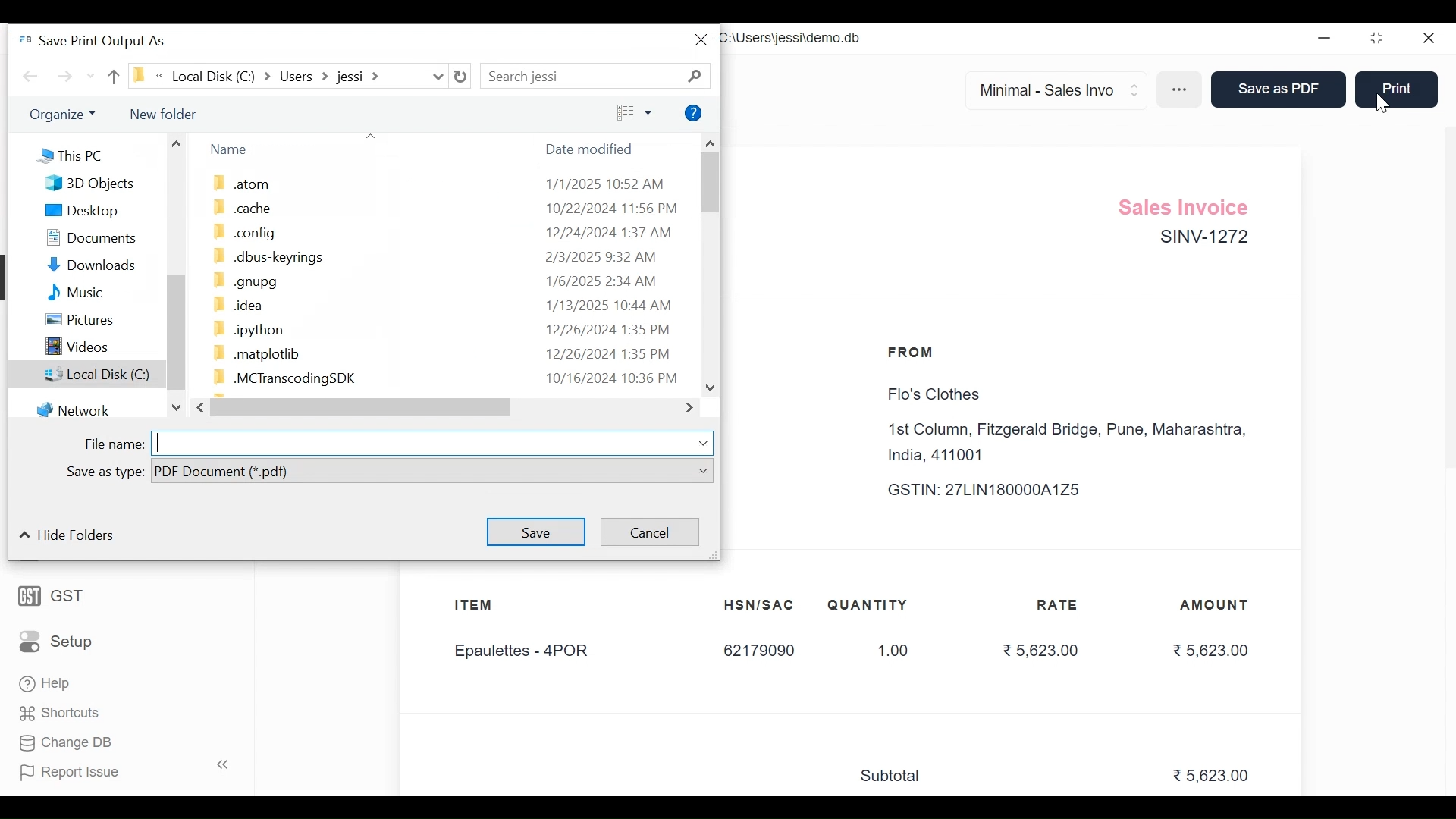 The width and height of the screenshot is (1456, 819). I want to click on Scroll down, so click(711, 387).